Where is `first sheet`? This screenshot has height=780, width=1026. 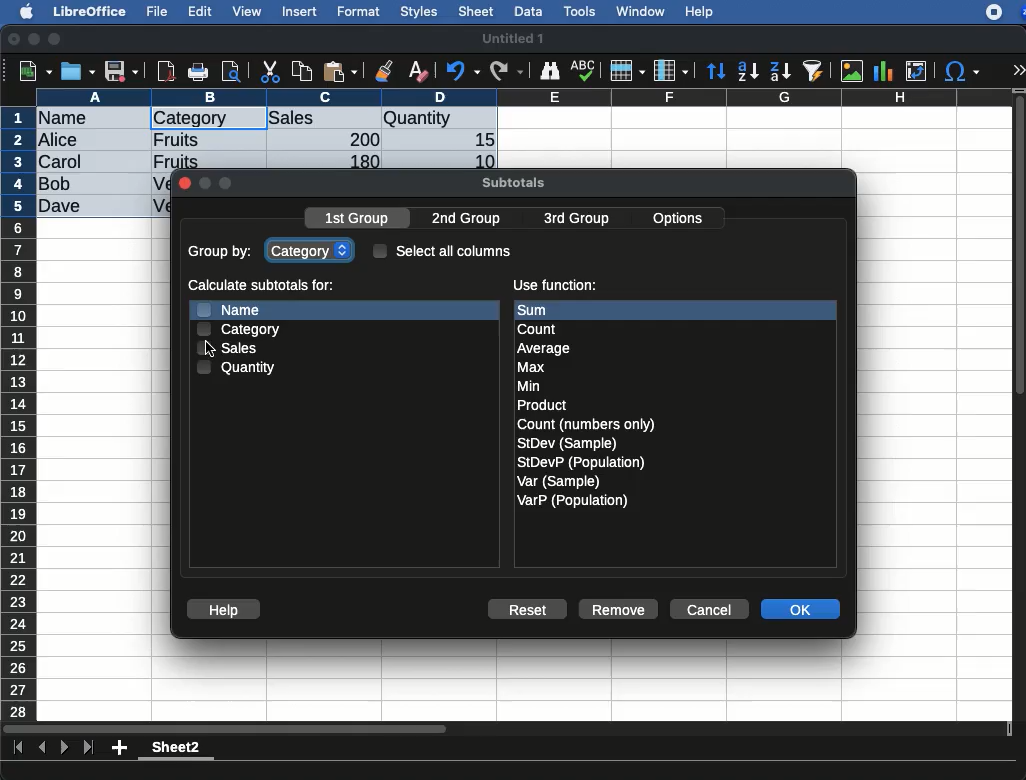
first sheet is located at coordinates (20, 748).